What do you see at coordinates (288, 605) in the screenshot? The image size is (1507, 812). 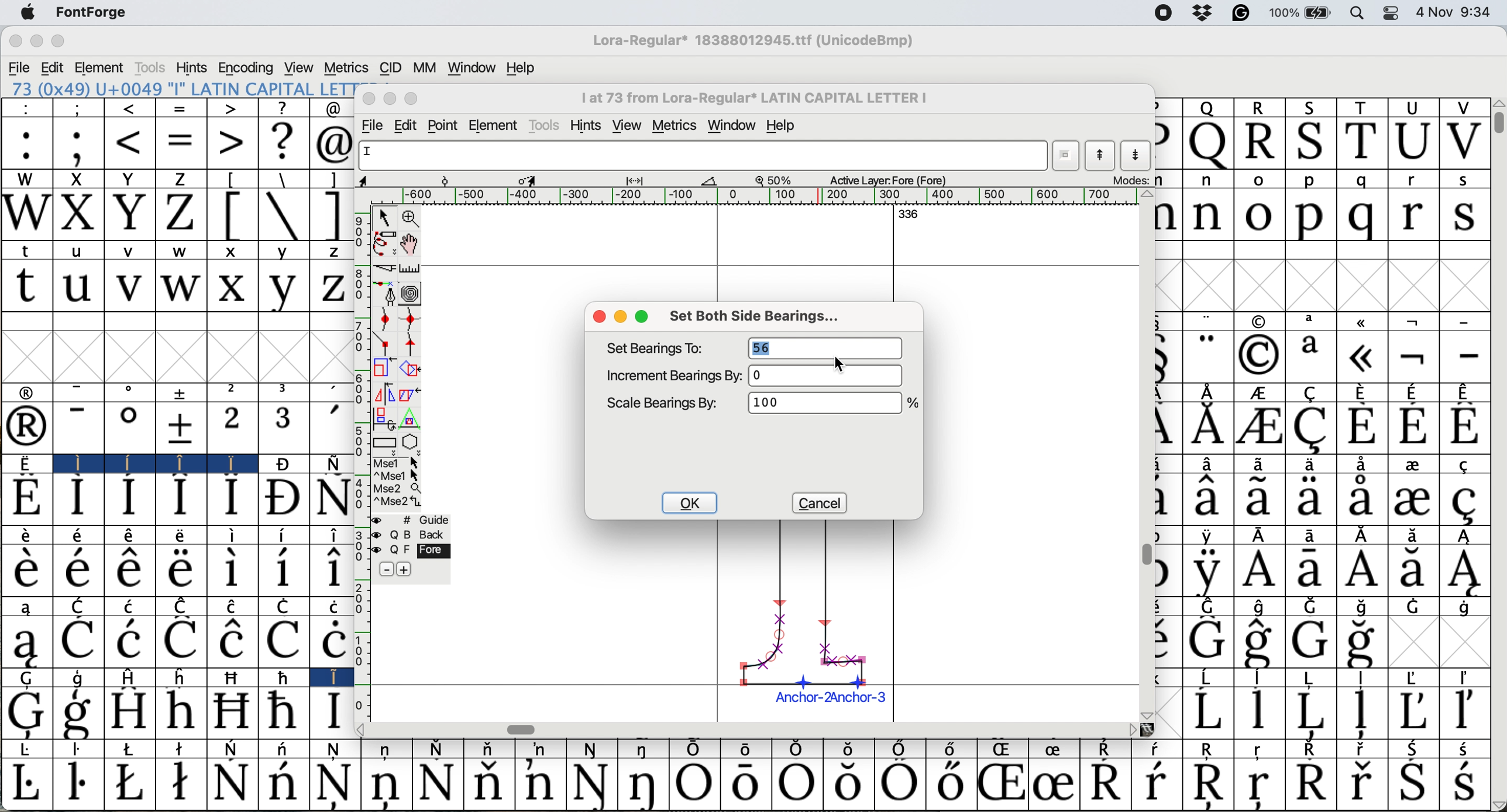 I see `Symbol` at bounding box center [288, 605].